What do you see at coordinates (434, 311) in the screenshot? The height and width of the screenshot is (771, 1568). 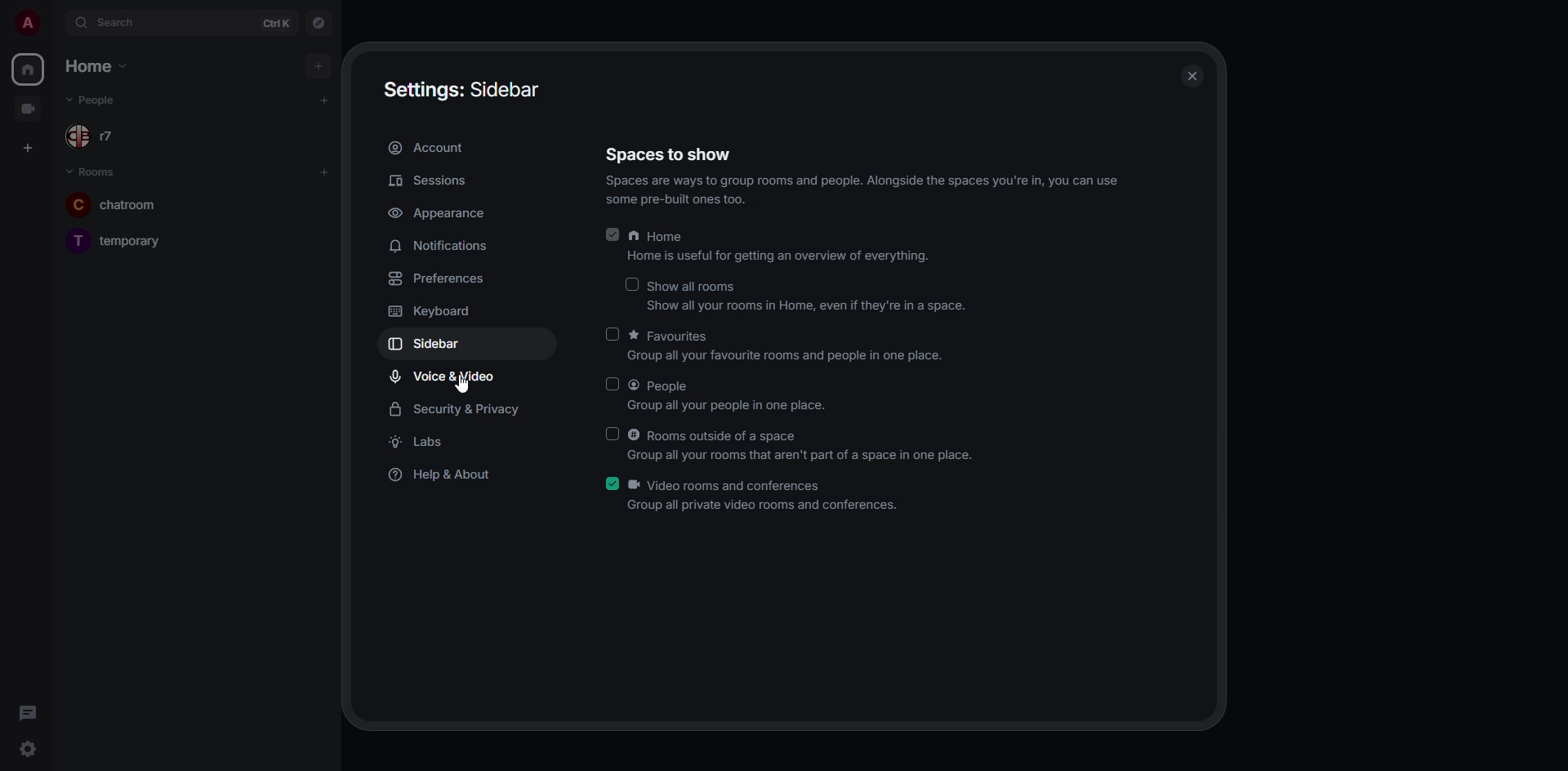 I see `keyboard` at bounding box center [434, 311].